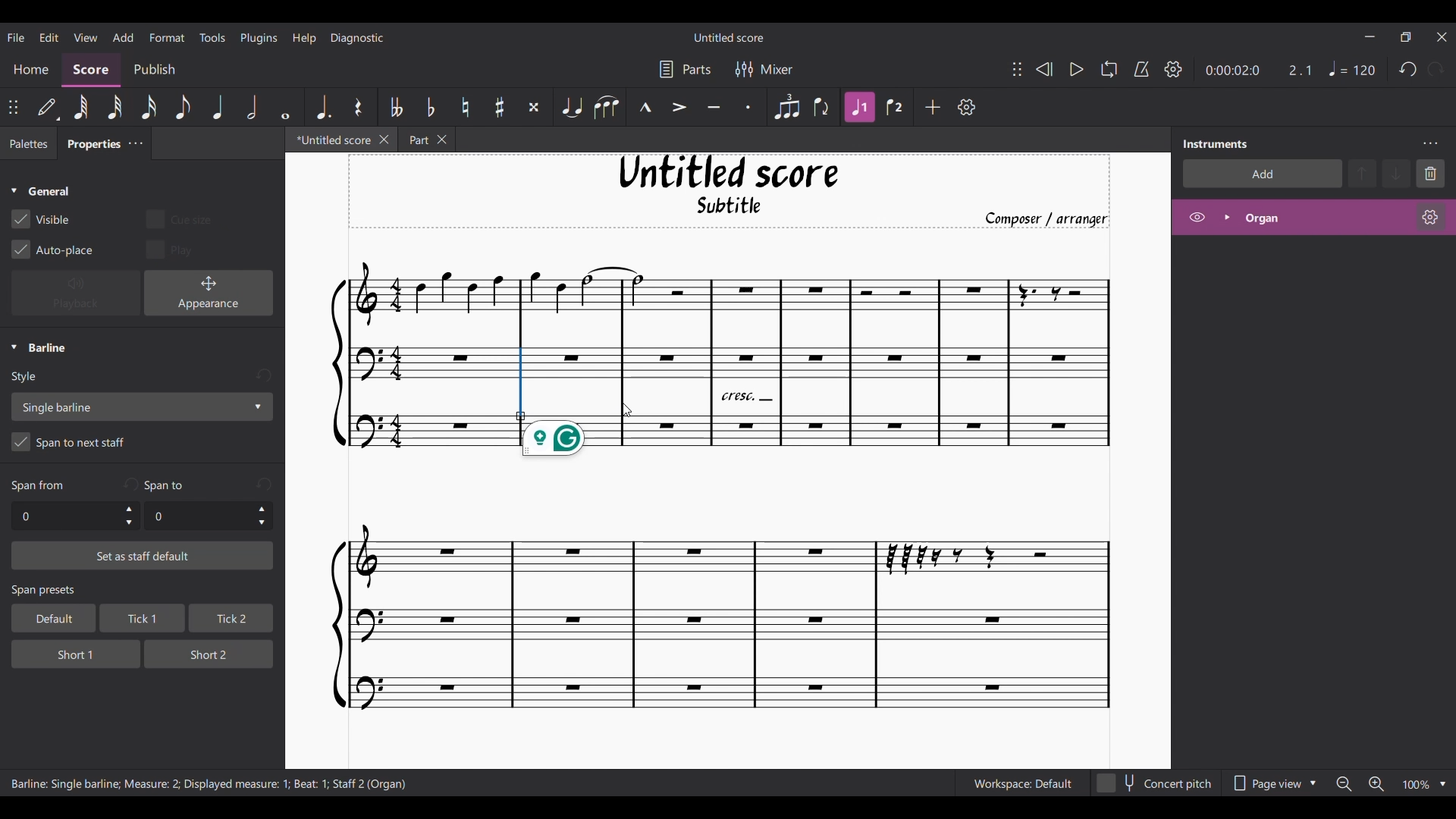 The width and height of the screenshot is (1456, 819). I want to click on Composer/arranger, so click(1053, 219).